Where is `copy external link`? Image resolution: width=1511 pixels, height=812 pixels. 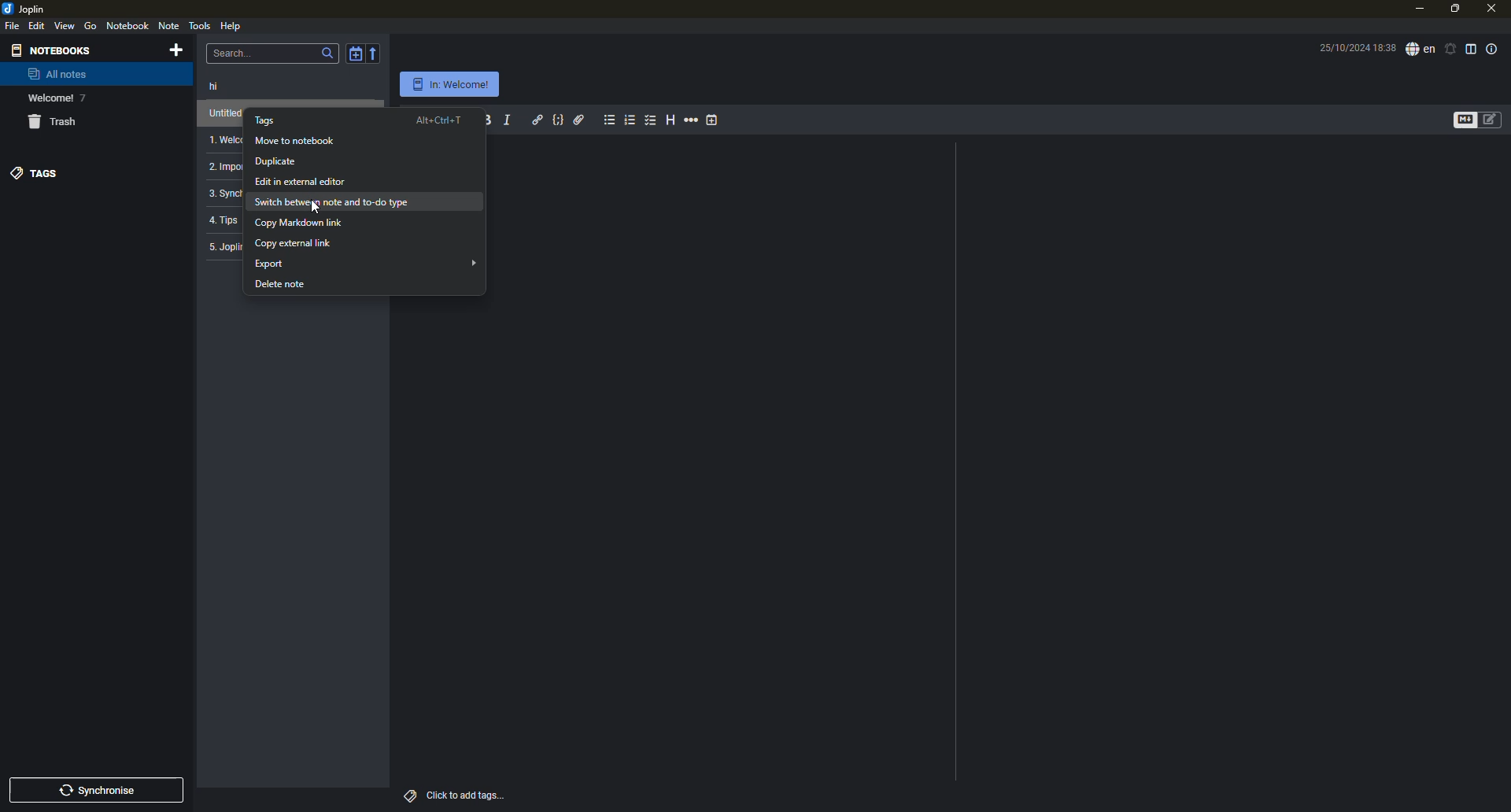
copy external link is located at coordinates (294, 243).